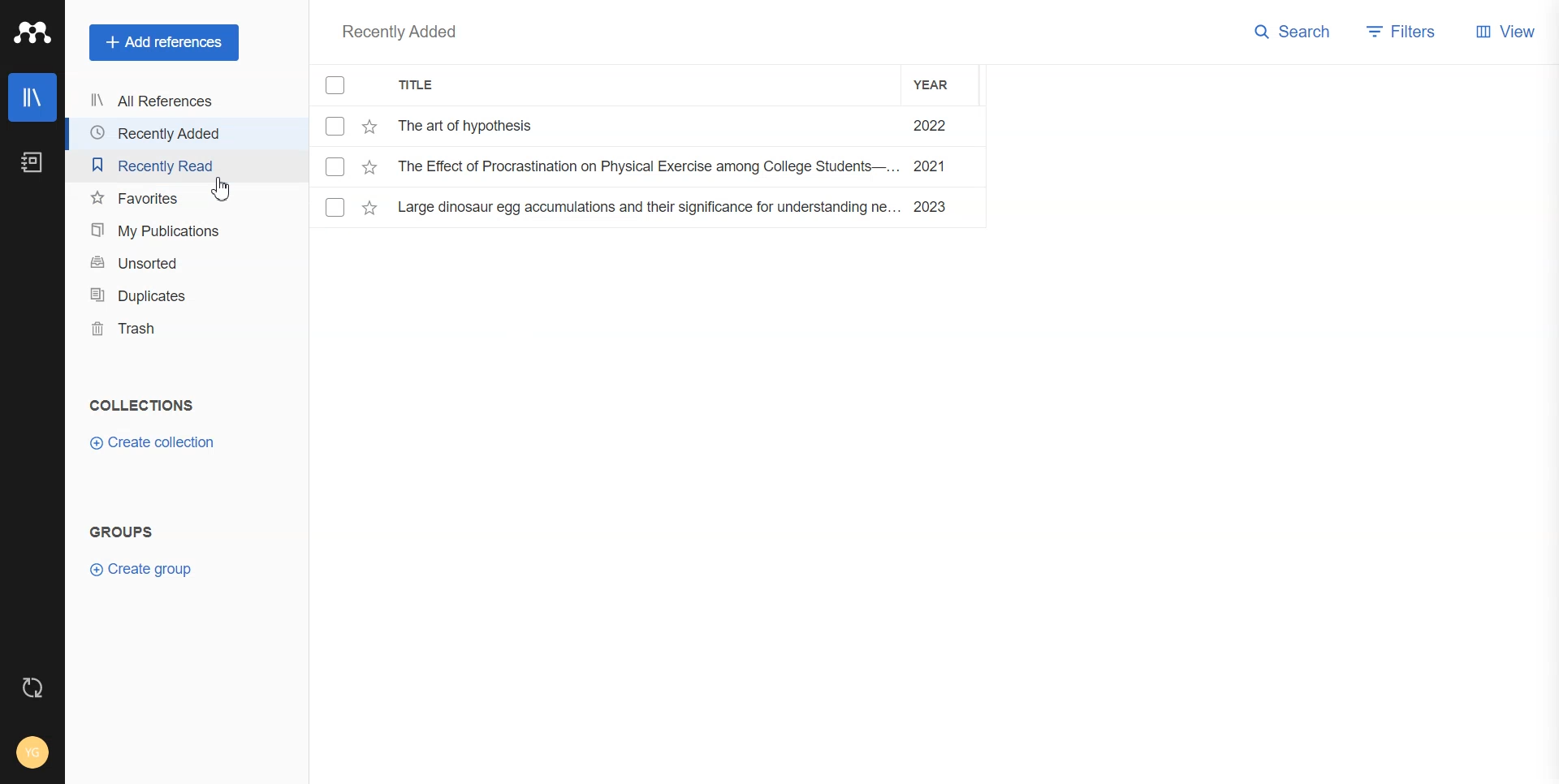 Image resolution: width=1559 pixels, height=784 pixels. What do you see at coordinates (145, 569) in the screenshot?
I see `Create group` at bounding box center [145, 569].